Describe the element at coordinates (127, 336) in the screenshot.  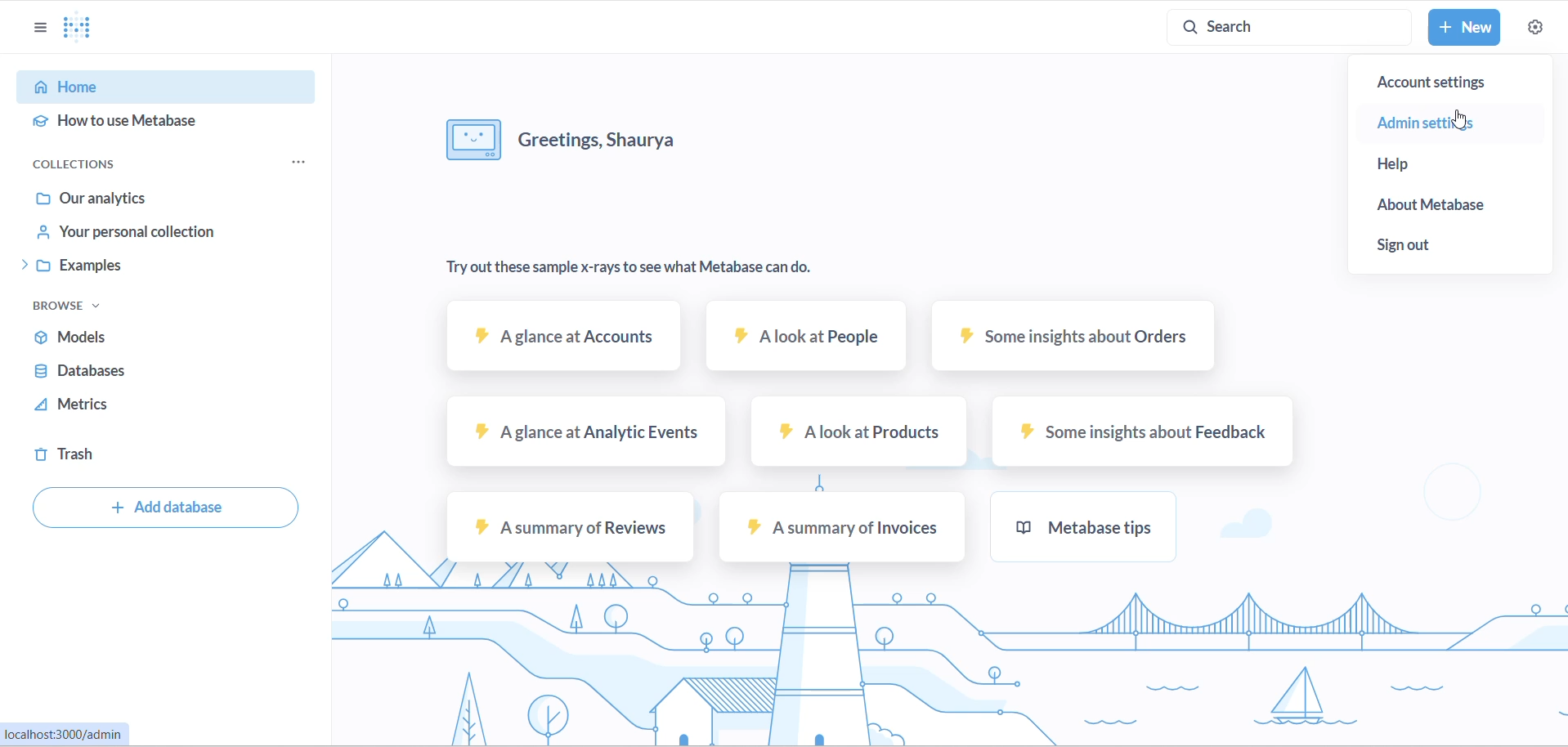
I see `models` at that location.